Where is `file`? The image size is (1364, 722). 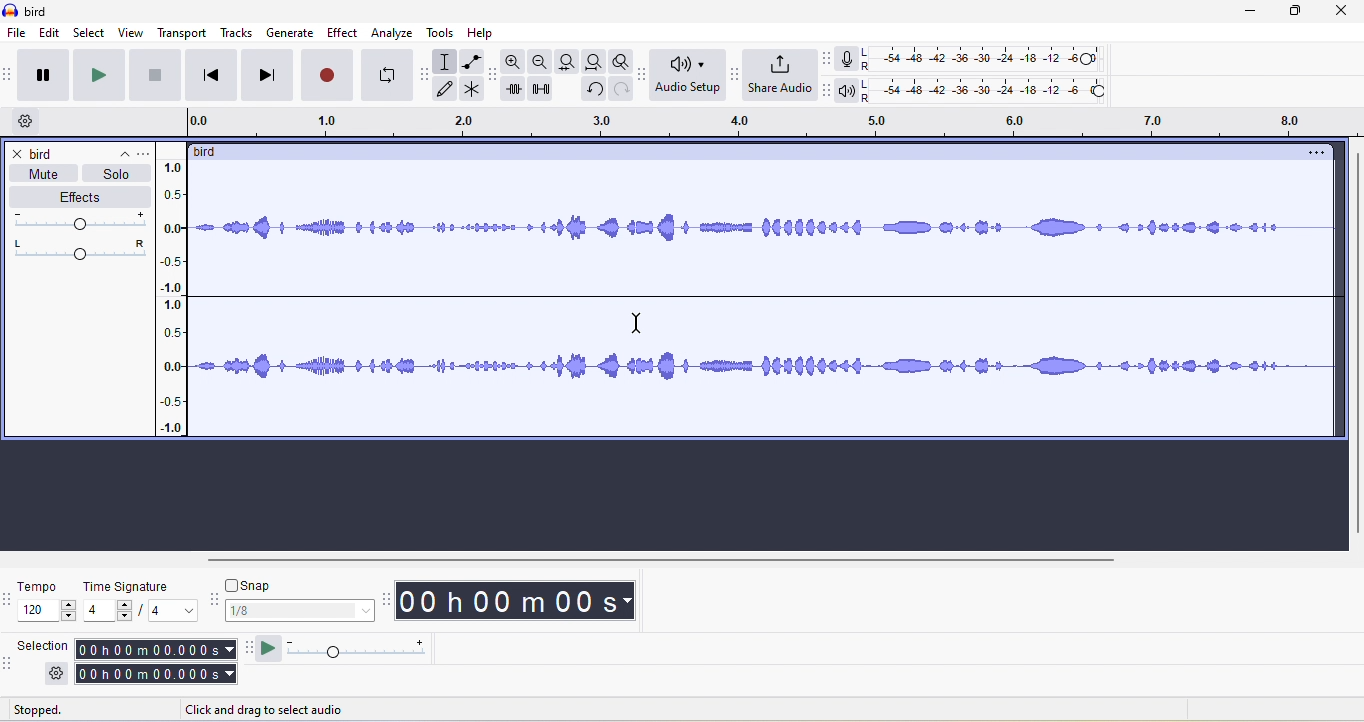
file is located at coordinates (15, 33).